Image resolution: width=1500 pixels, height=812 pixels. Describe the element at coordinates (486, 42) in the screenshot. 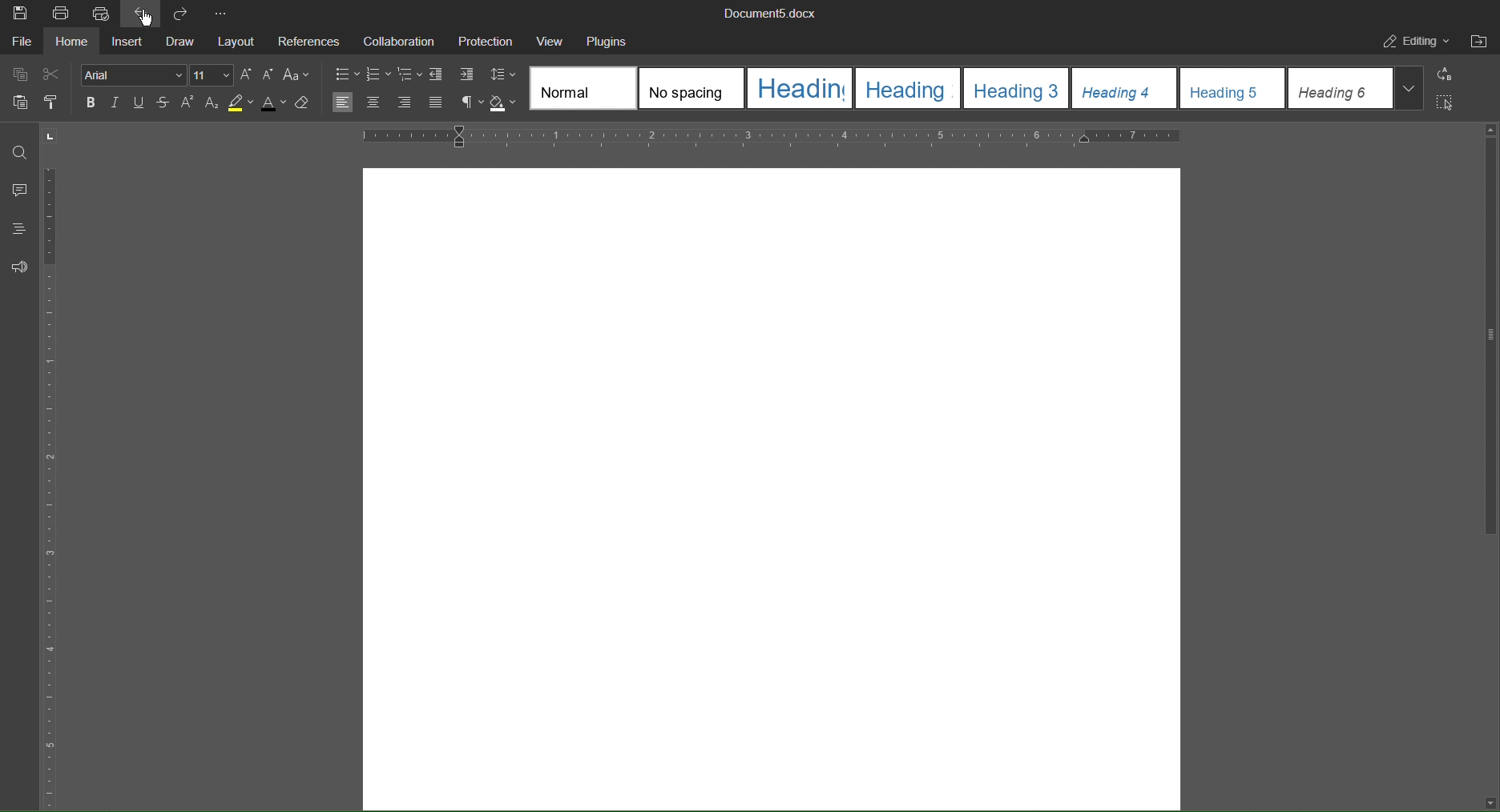

I see `Protection` at that location.